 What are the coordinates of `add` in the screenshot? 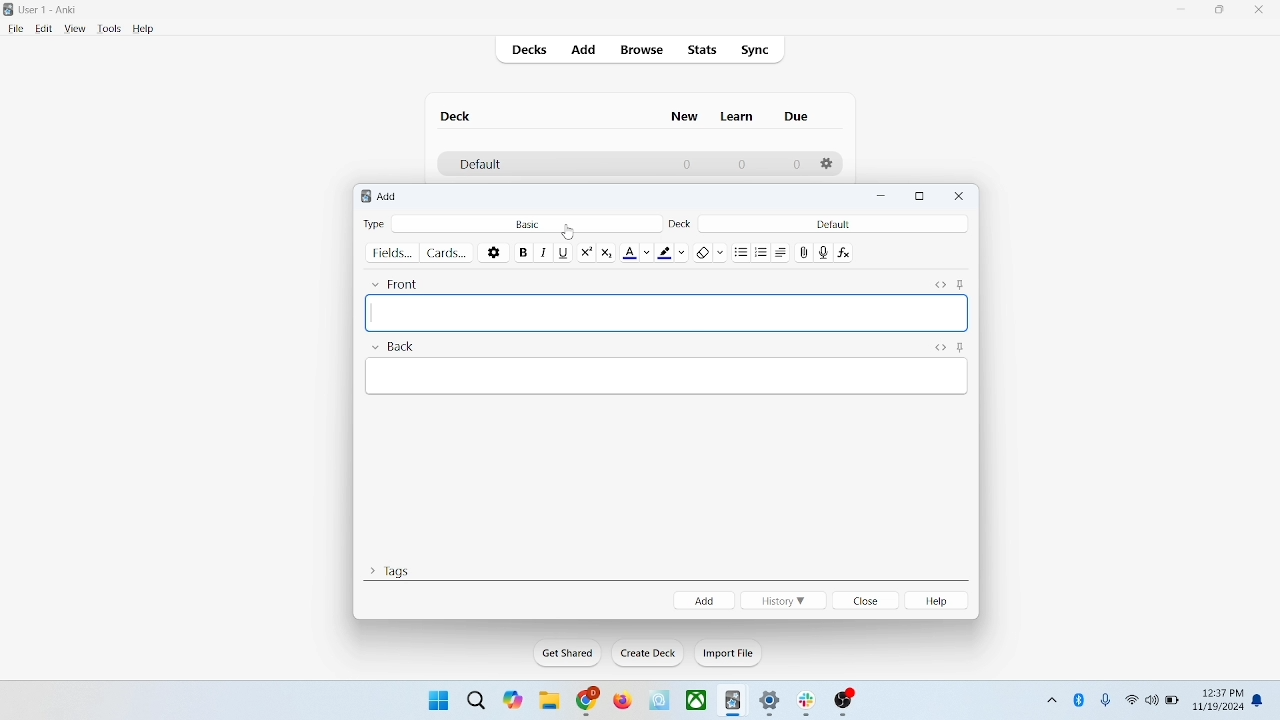 It's located at (390, 196).